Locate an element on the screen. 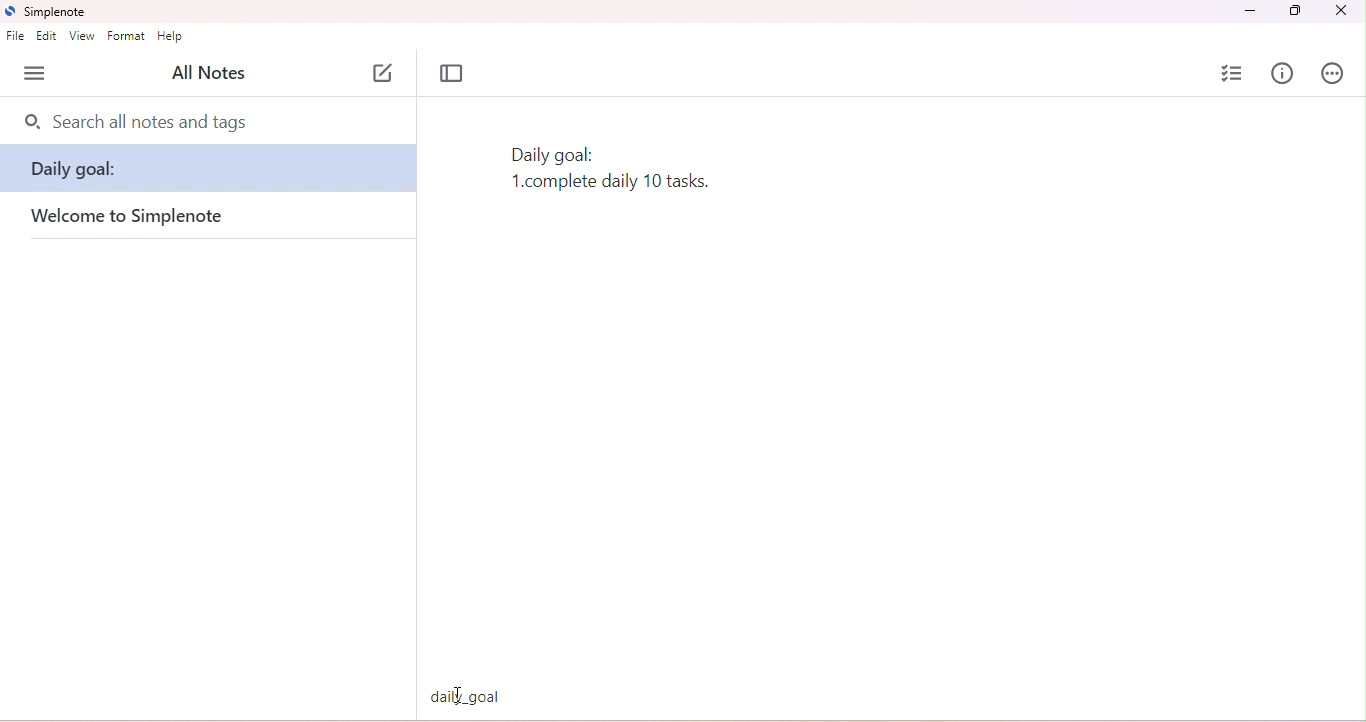  daily goal tag typed is located at coordinates (465, 696).